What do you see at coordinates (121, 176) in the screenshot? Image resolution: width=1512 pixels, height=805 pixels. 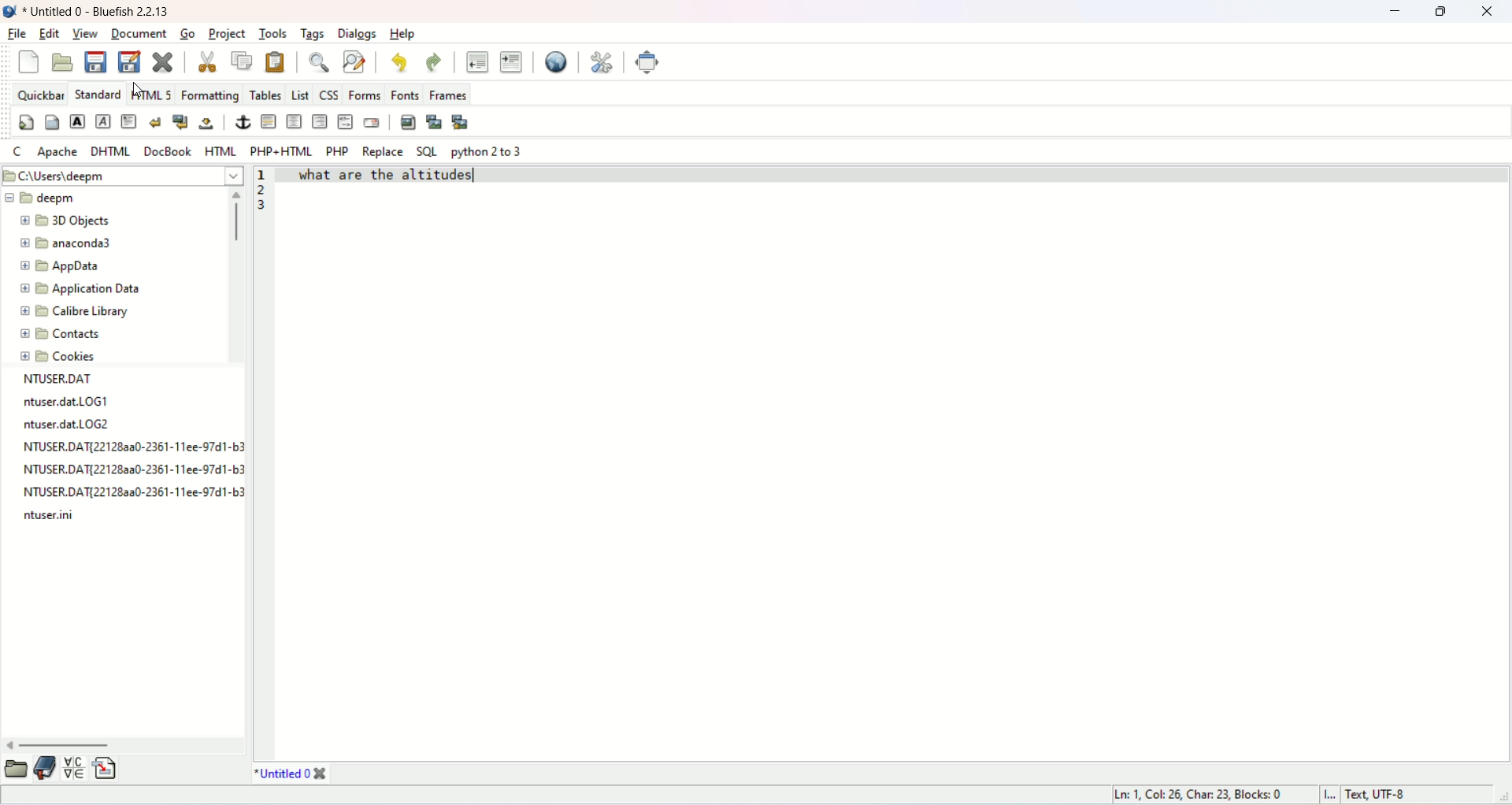 I see `location` at bounding box center [121, 176].